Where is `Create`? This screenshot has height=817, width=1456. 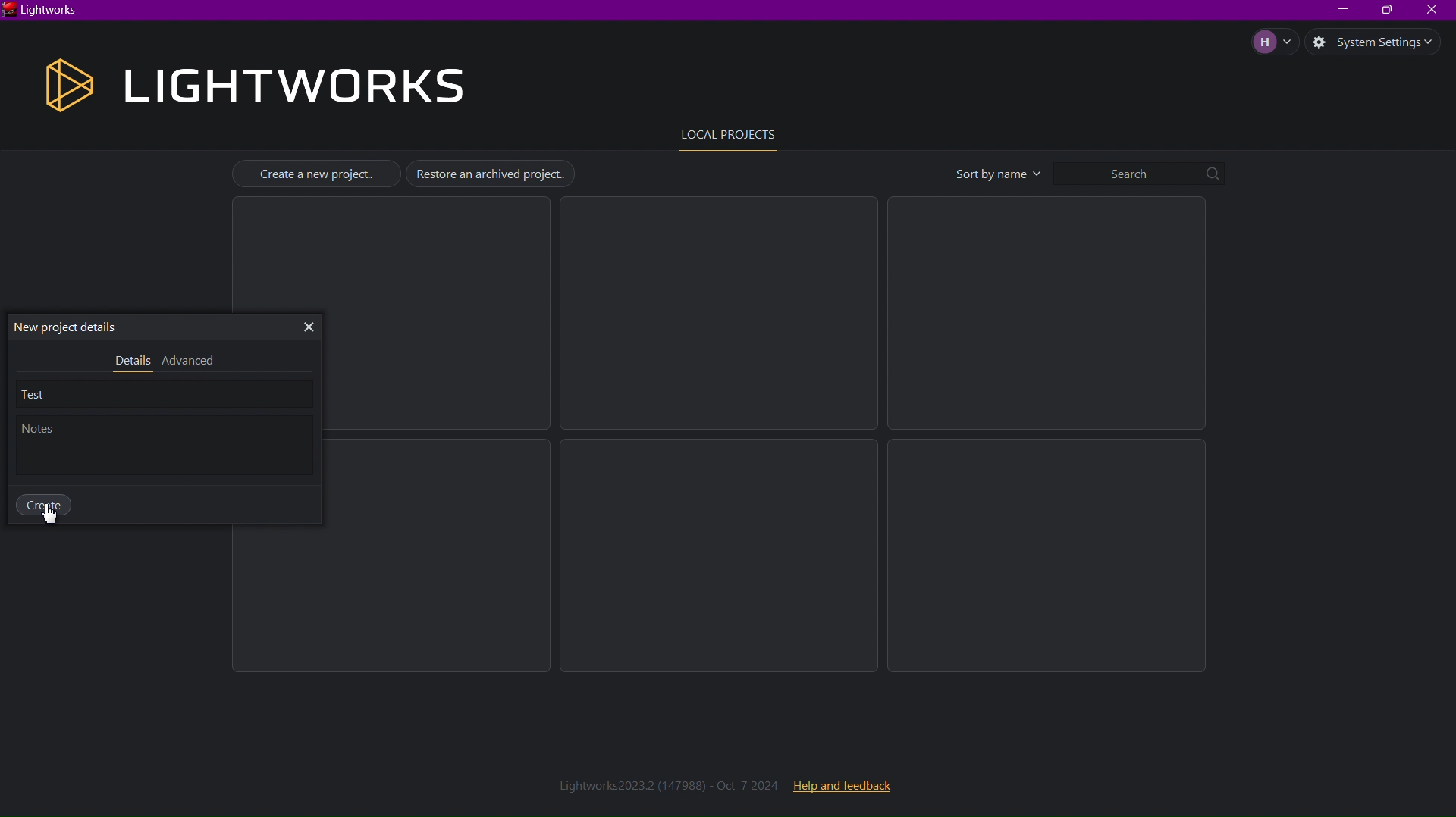
Create is located at coordinates (42, 505).